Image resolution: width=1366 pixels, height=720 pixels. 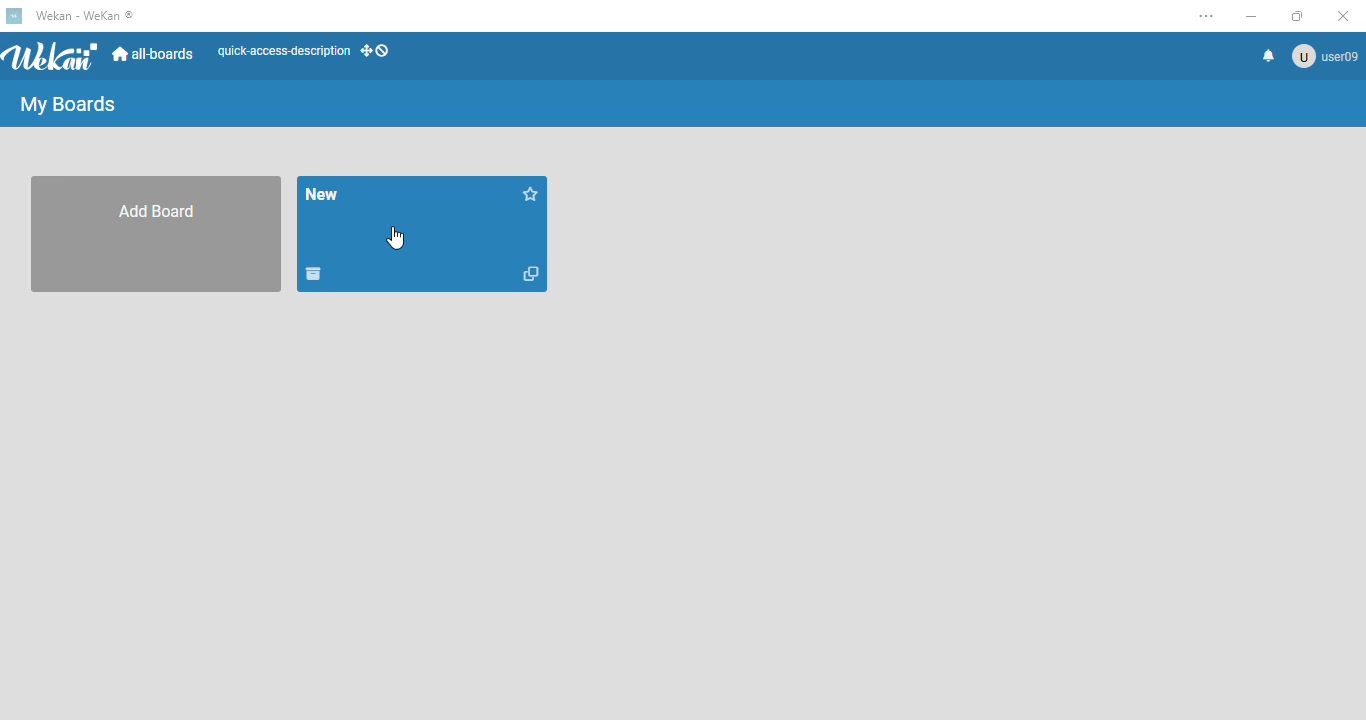 What do you see at coordinates (1298, 16) in the screenshot?
I see `maximize` at bounding box center [1298, 16].